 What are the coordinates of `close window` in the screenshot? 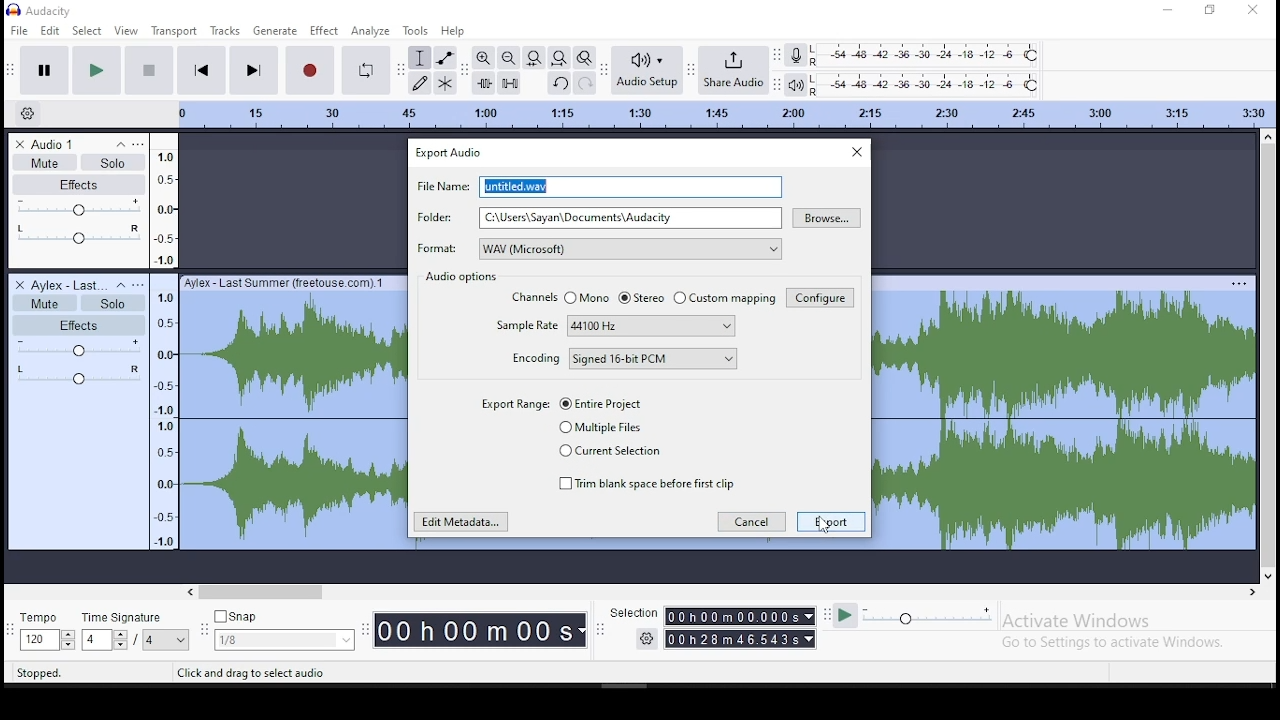 It's located at (856, 152).